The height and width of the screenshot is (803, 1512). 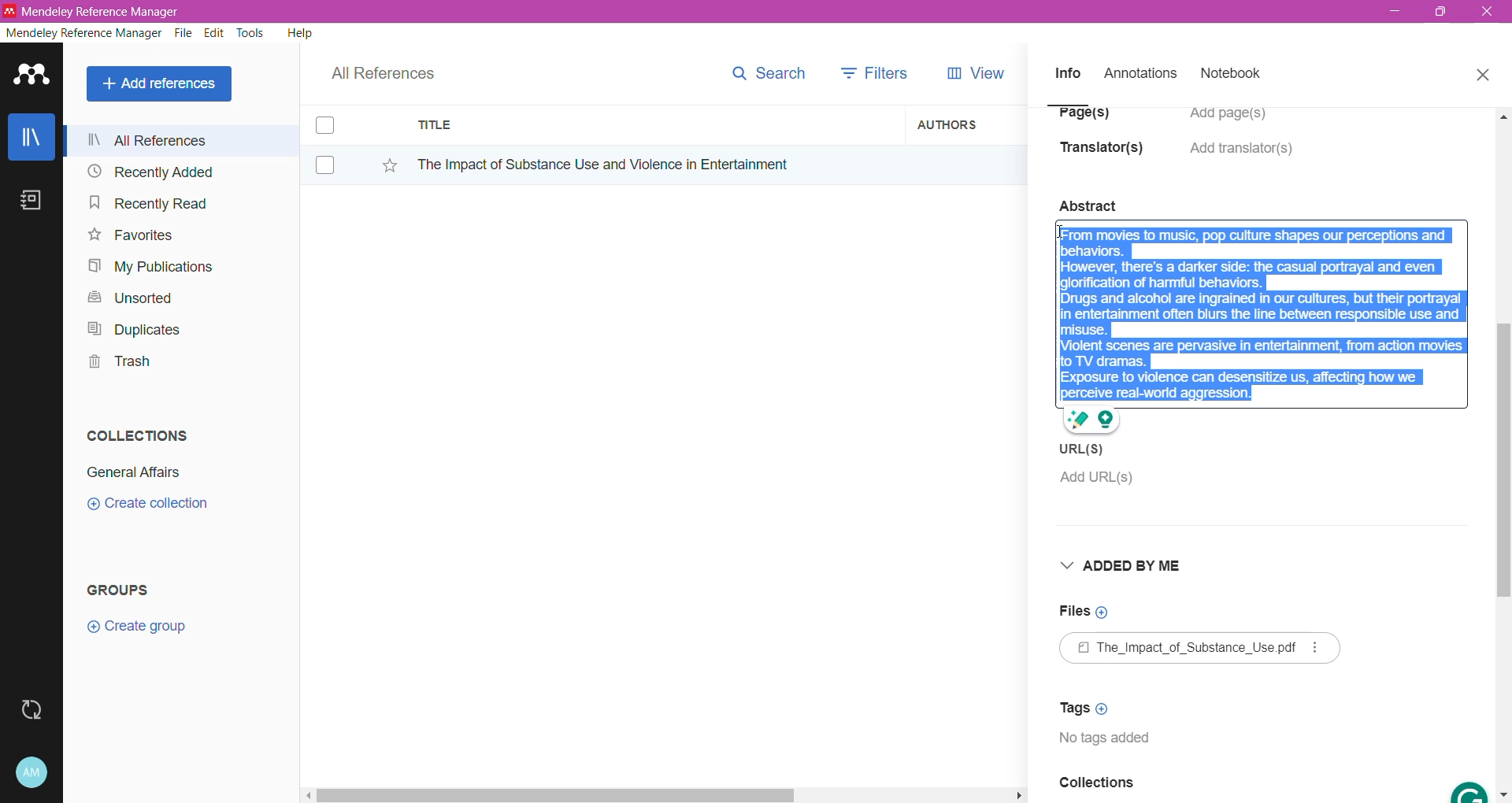 I want to click on Click to Create Collection, so click(x=147, y=506).